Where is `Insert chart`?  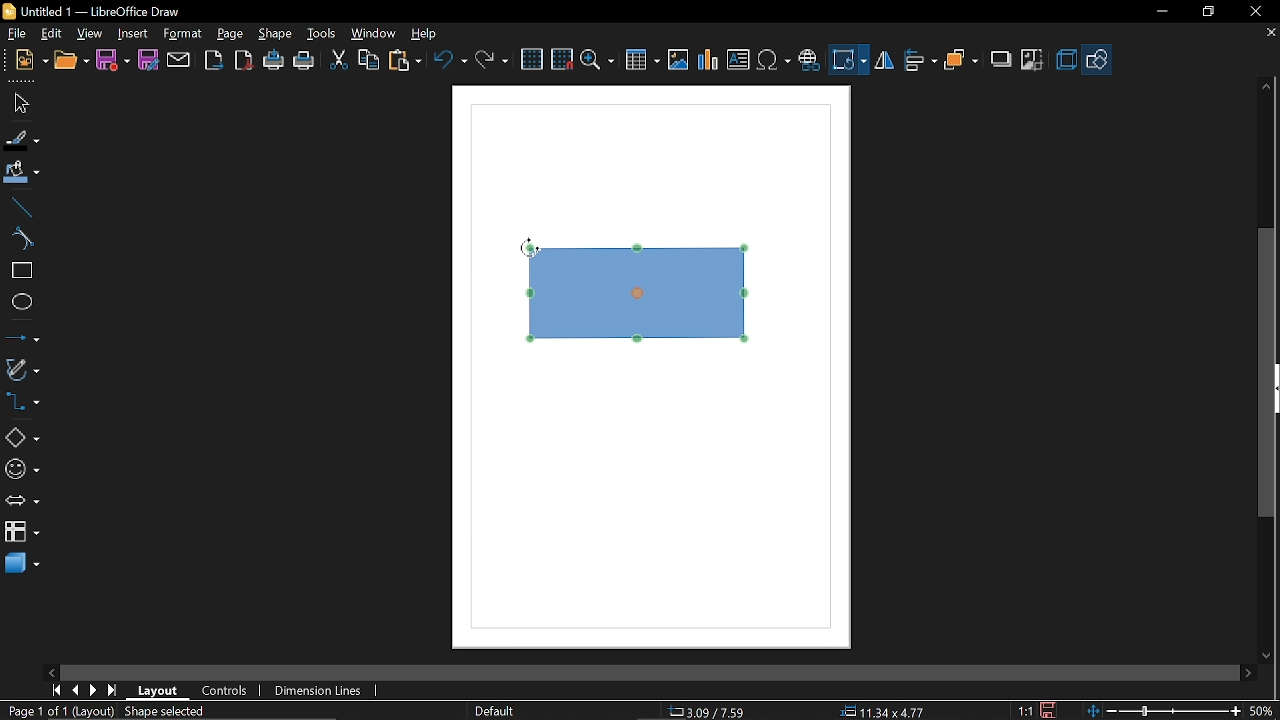
Insert chart is located at coordinates (707, 60).